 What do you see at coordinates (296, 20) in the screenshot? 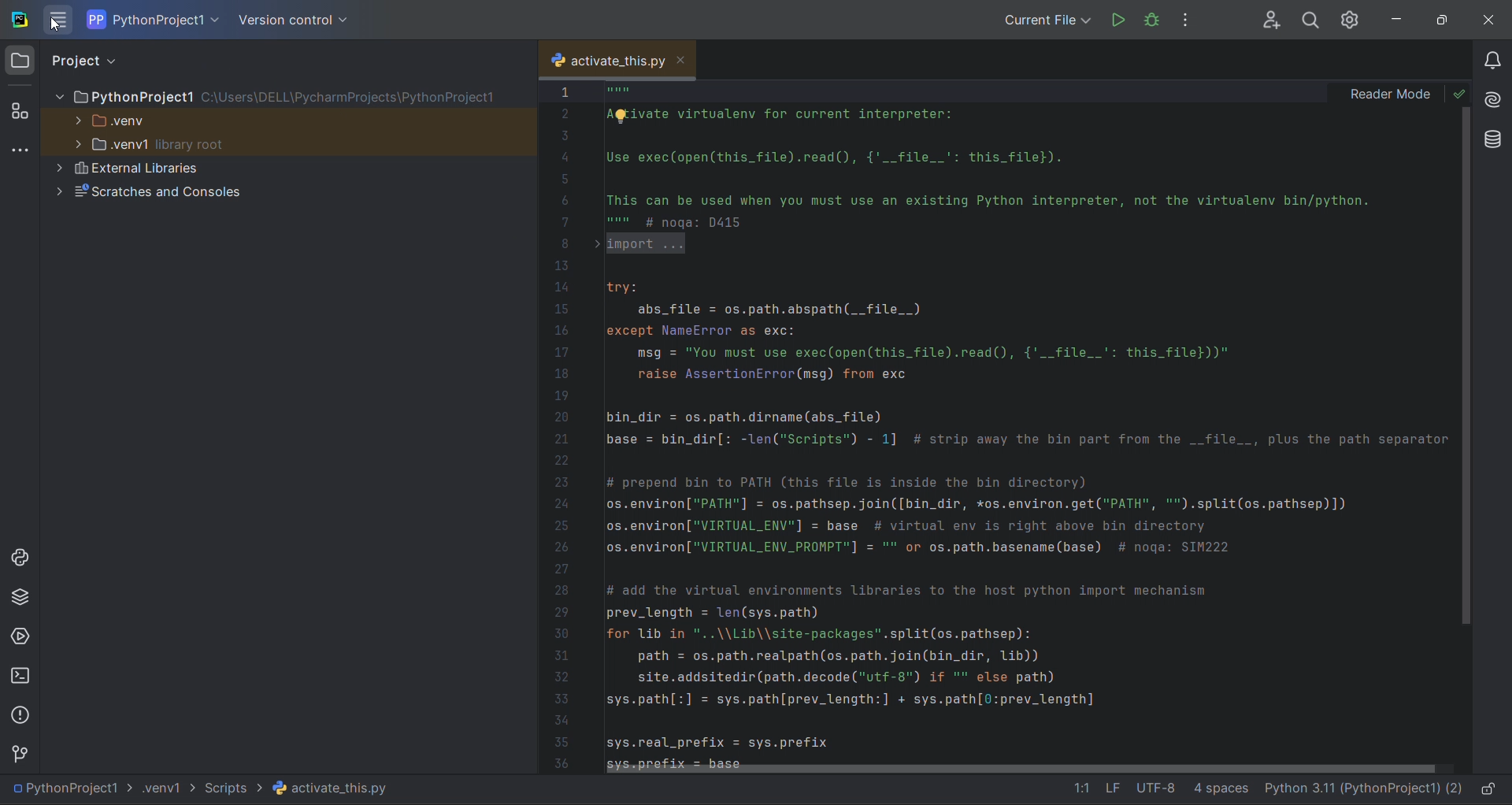
I see `version control` at bounding box center [296, 20].